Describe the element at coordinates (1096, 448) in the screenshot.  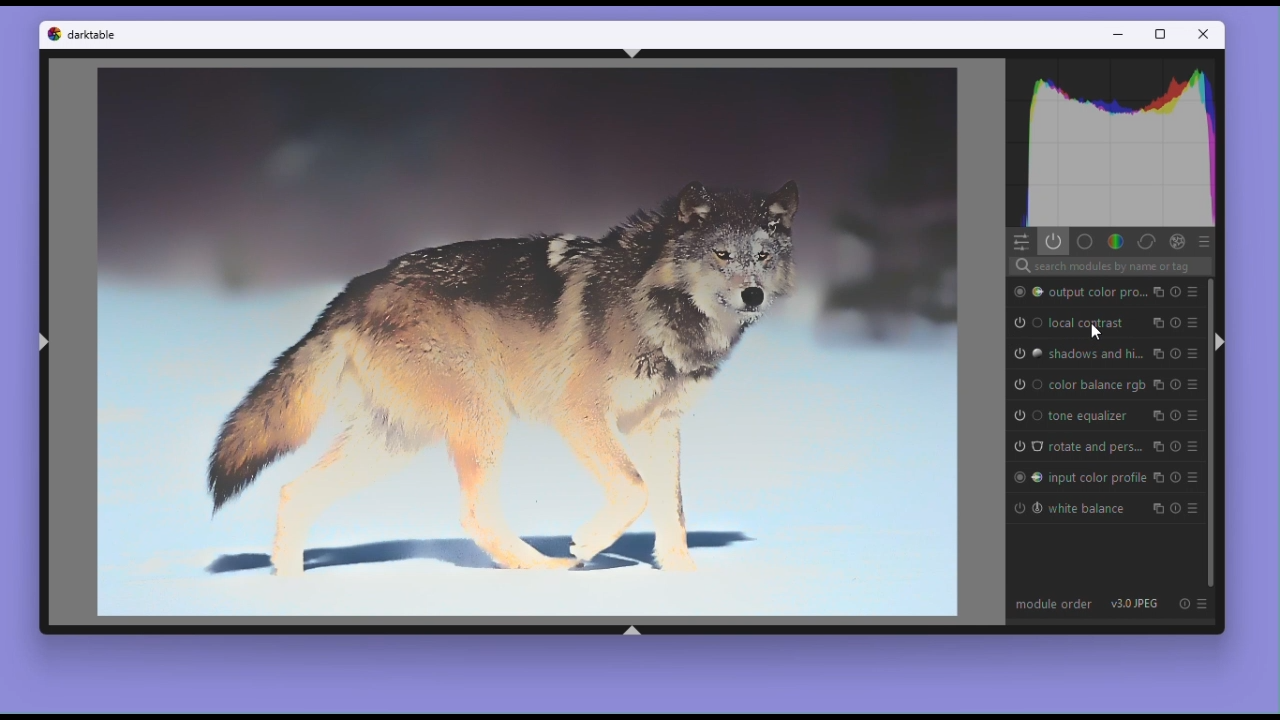
I see `Rotate and perspective` at that location.